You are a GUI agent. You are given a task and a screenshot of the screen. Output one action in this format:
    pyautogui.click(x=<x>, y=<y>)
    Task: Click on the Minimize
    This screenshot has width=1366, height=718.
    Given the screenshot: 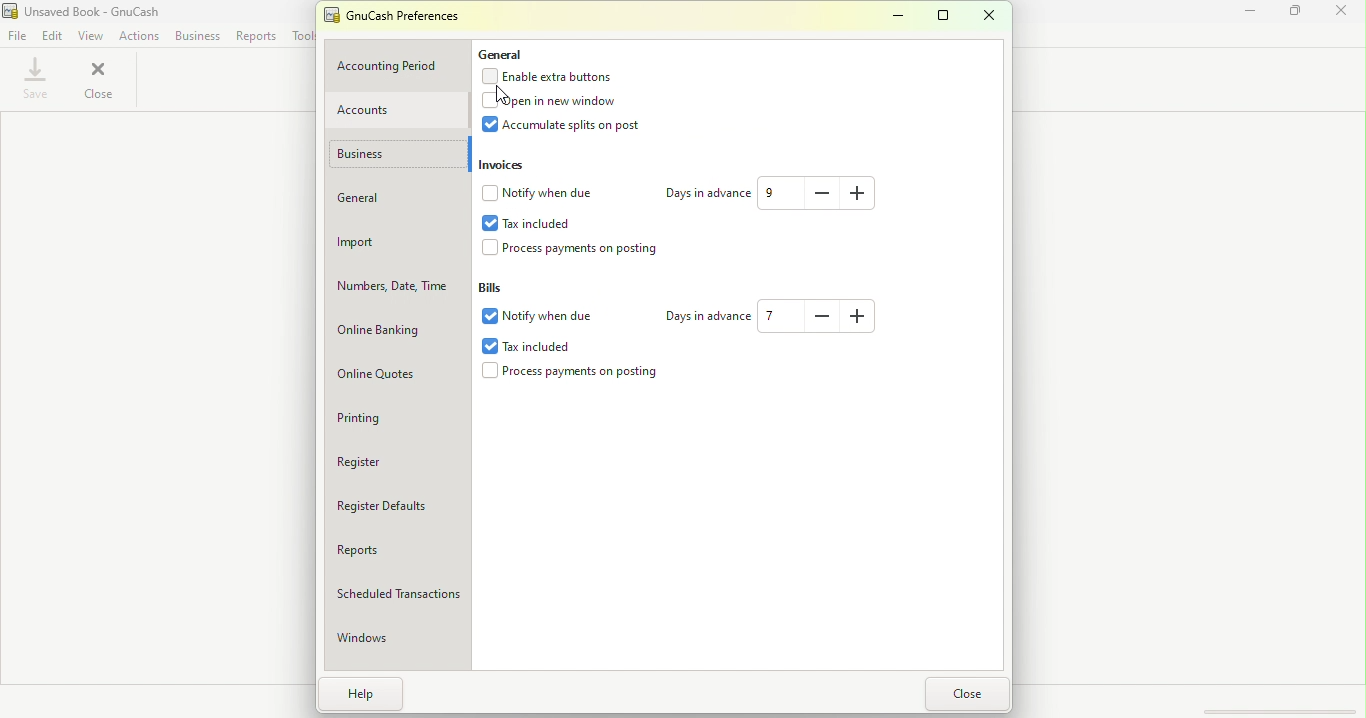 What is the action you would take?
    pyautogui.click(x=897, y=18)
    